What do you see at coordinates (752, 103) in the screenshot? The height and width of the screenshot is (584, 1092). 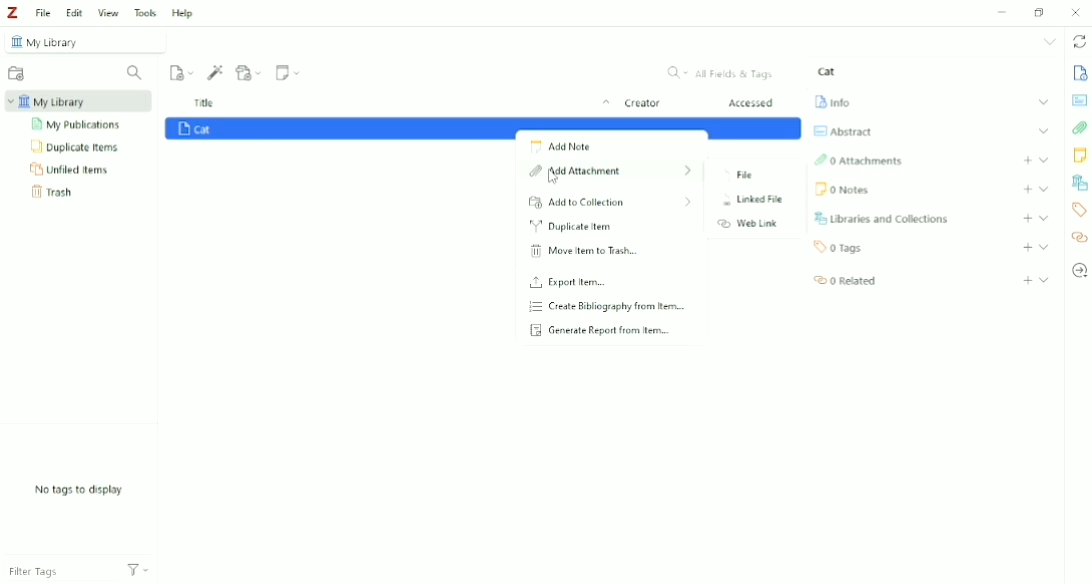 I see `Accessed` at bounding box center [752, 103].